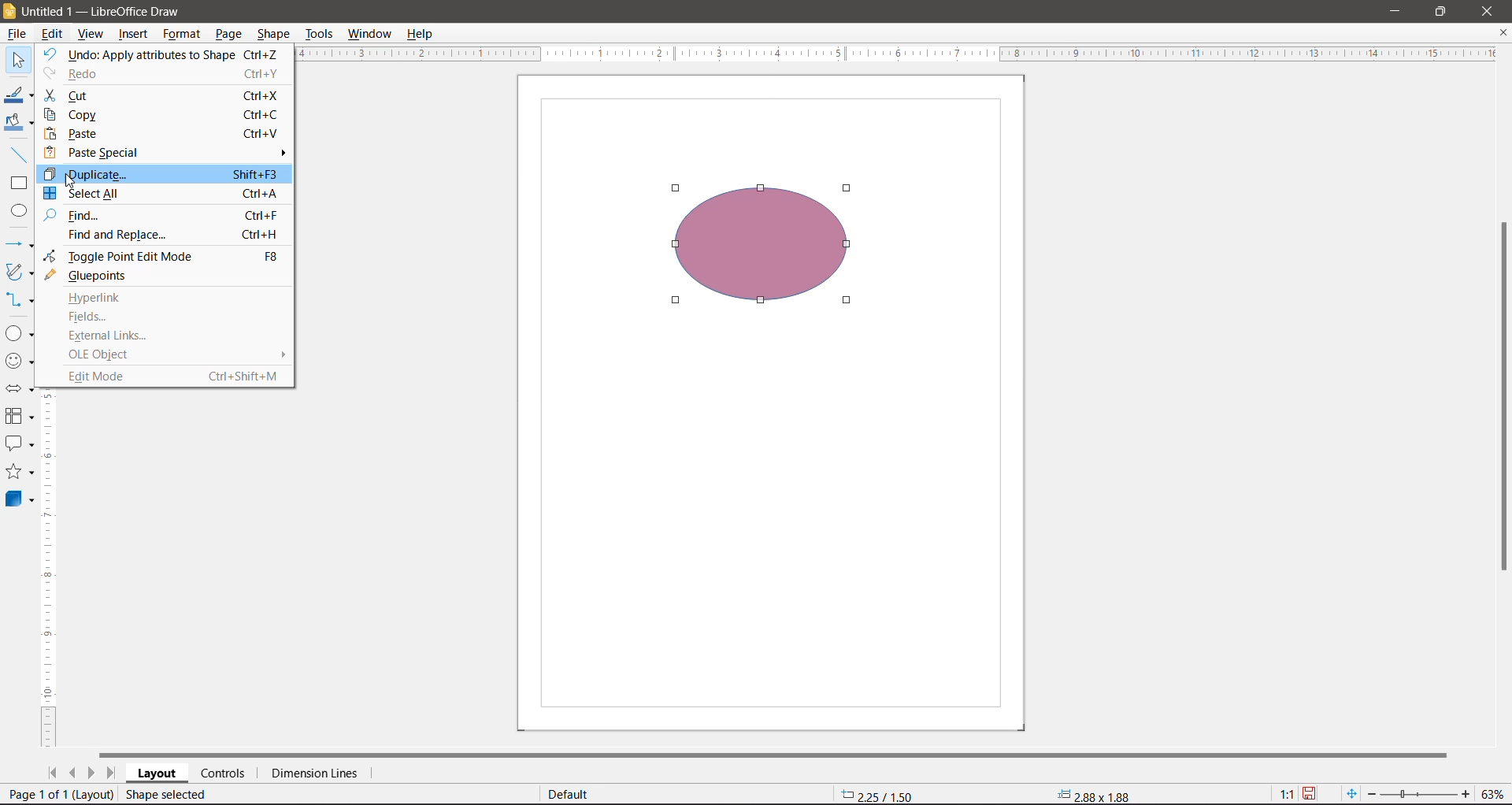 This screenshot has height=805, width=1512. I want to click on Line Color, so click(20, 93).